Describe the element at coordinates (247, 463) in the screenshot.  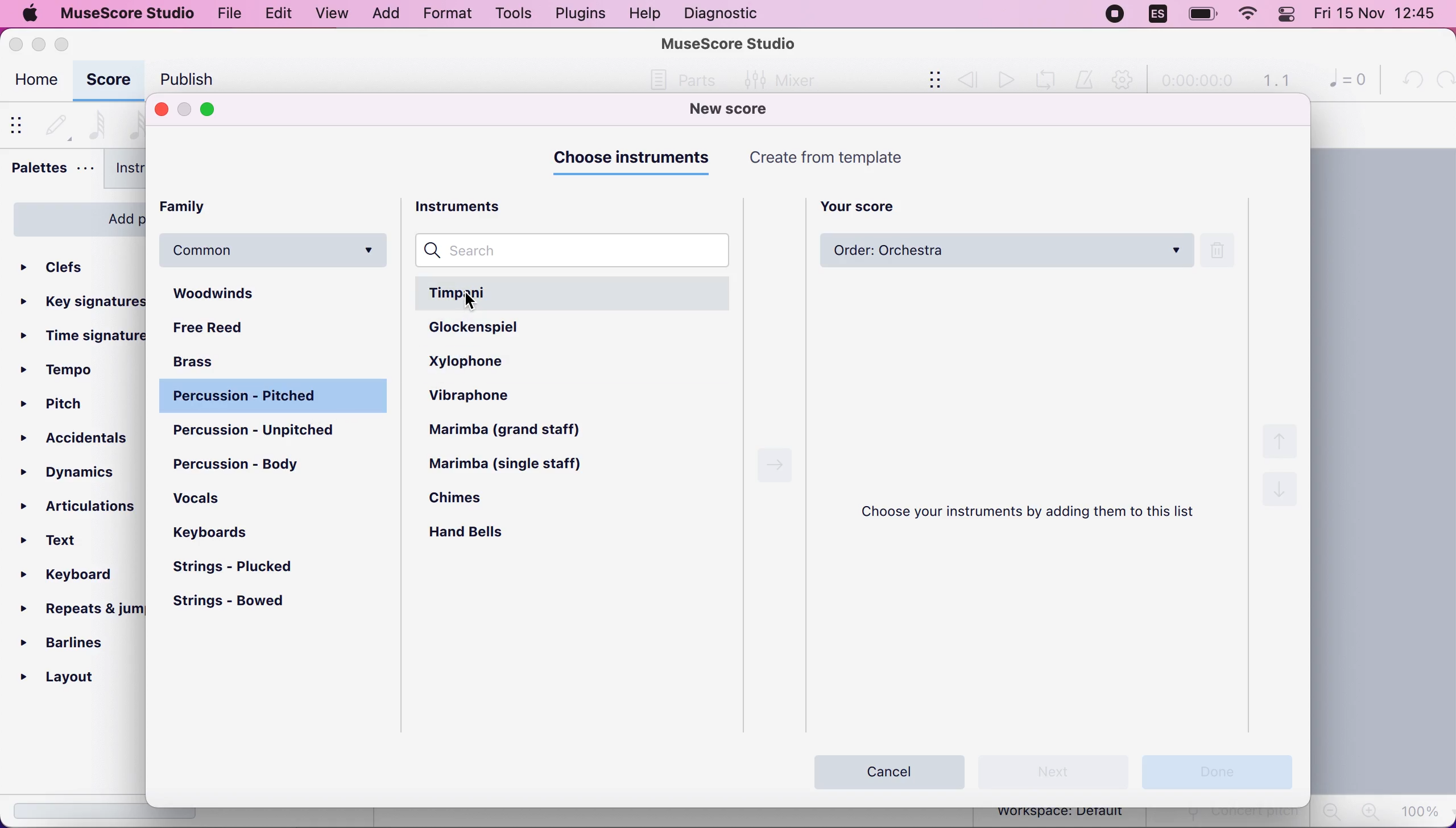
I see `percussion - body` at that location.